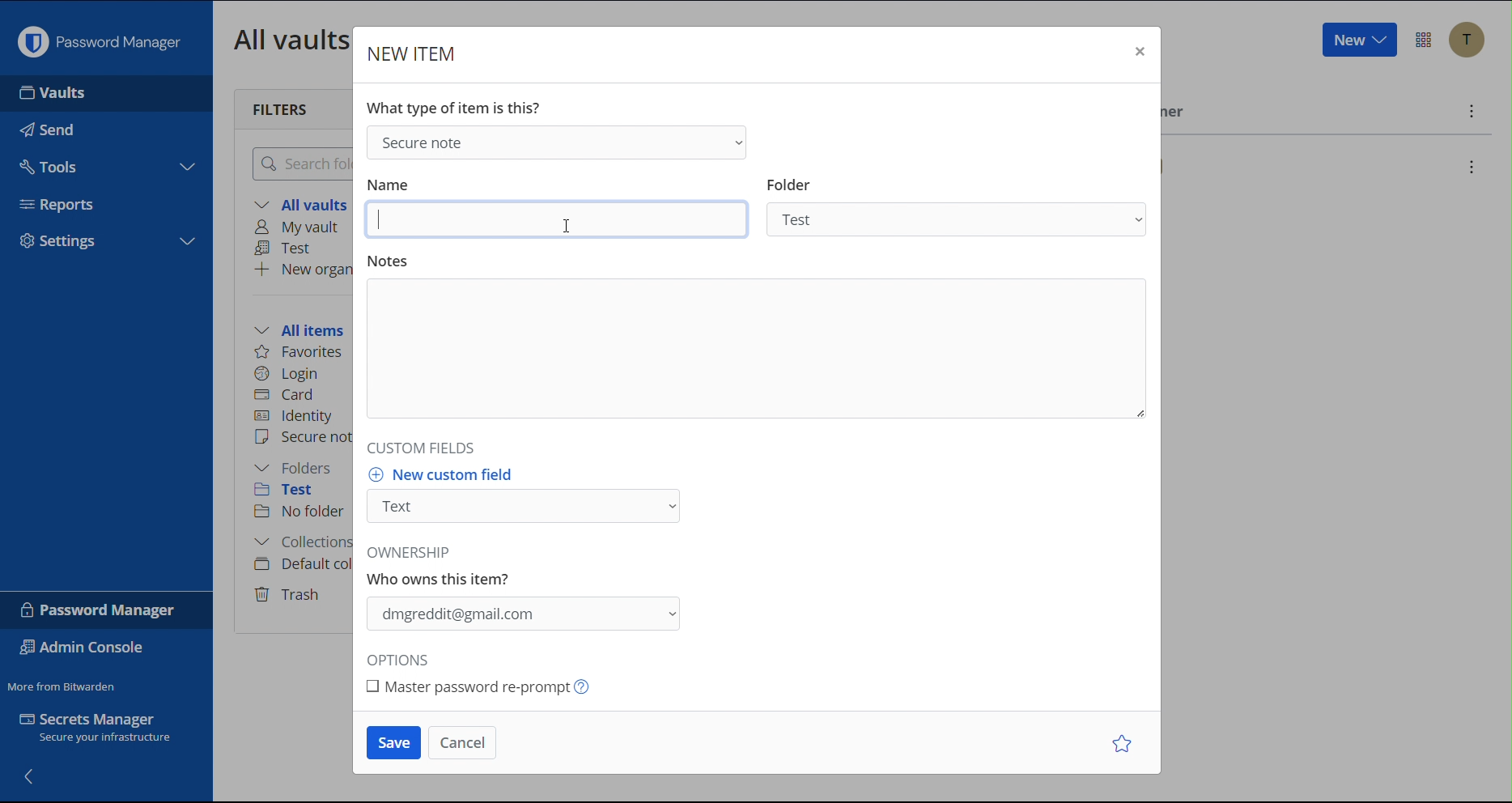 The height and width of the screenshot is (803, 1512). I want to click on Filters, so click(282, 108).